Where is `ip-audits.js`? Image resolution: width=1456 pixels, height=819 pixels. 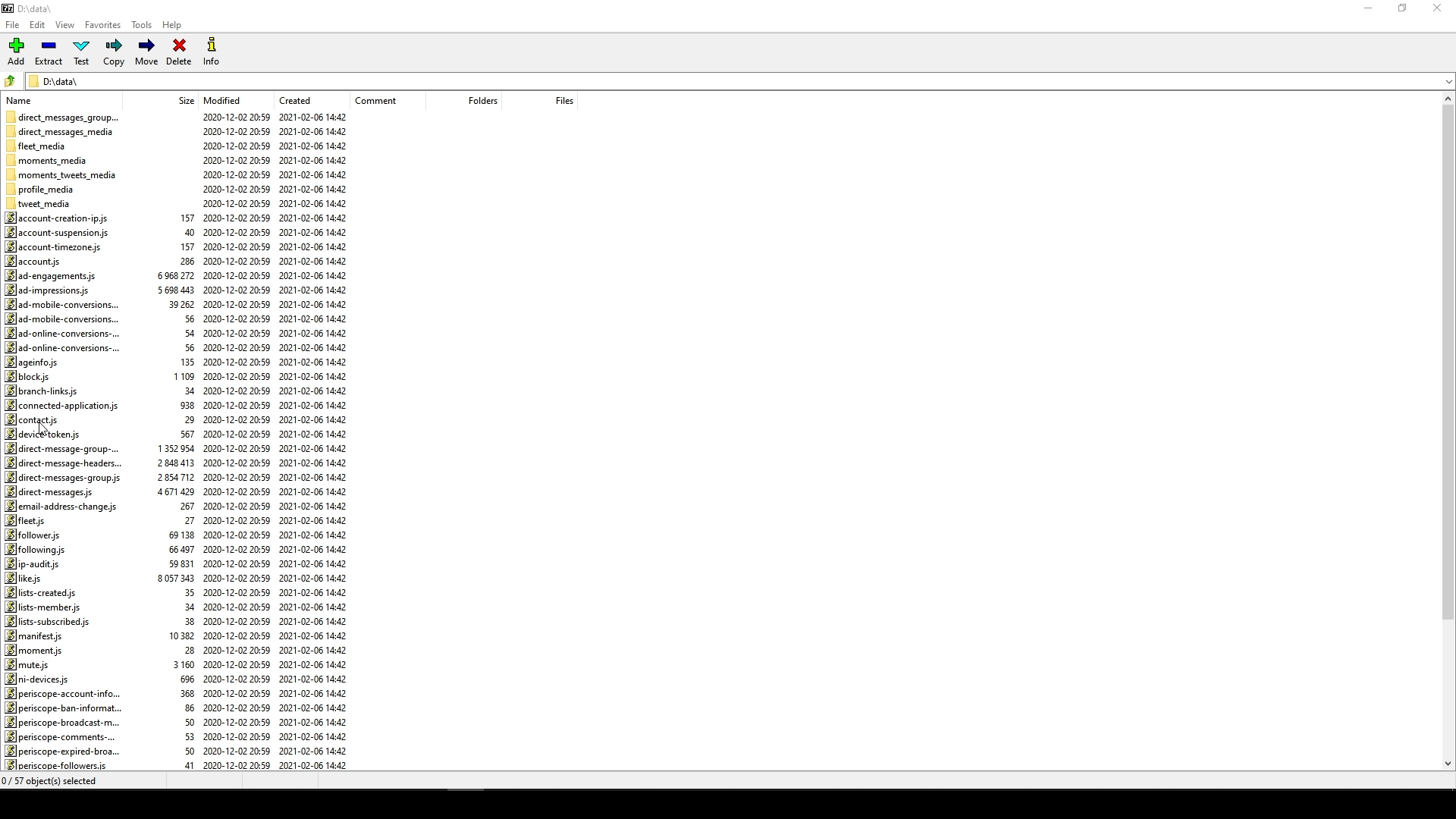 ip-audits.js is located at coordinates (33, 564).